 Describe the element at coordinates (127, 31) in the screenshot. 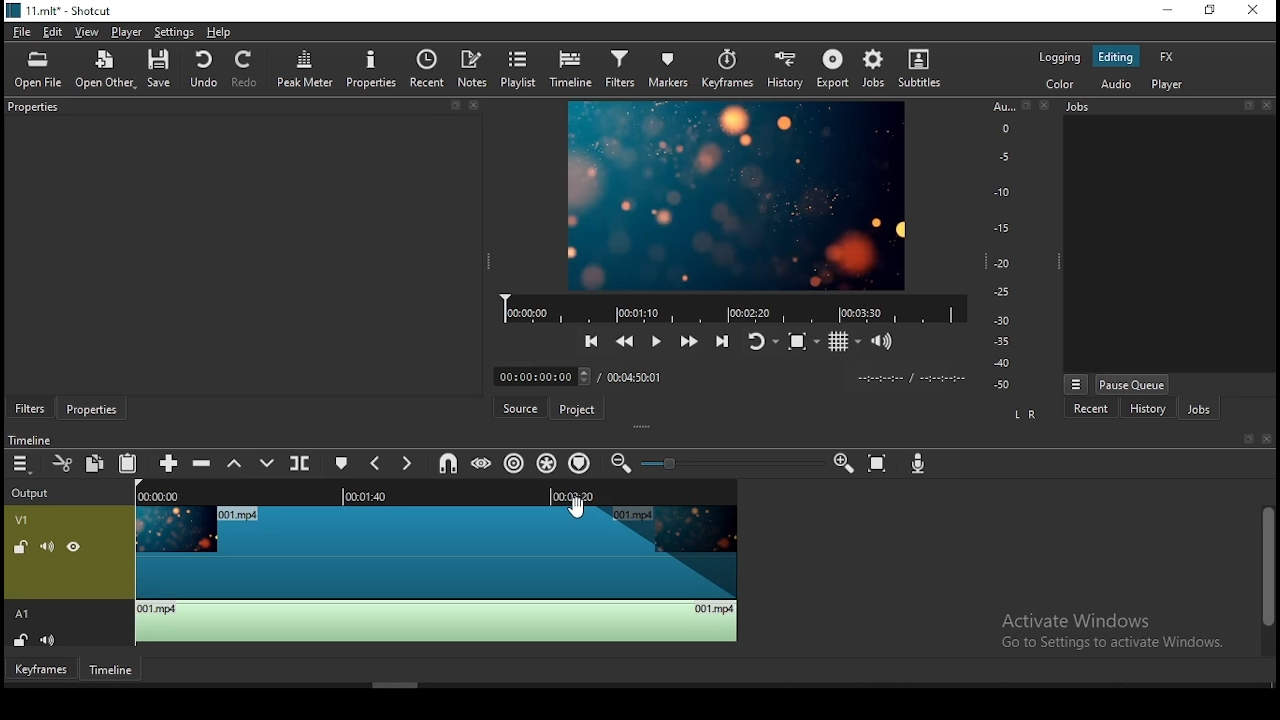

I see `player` at that location.